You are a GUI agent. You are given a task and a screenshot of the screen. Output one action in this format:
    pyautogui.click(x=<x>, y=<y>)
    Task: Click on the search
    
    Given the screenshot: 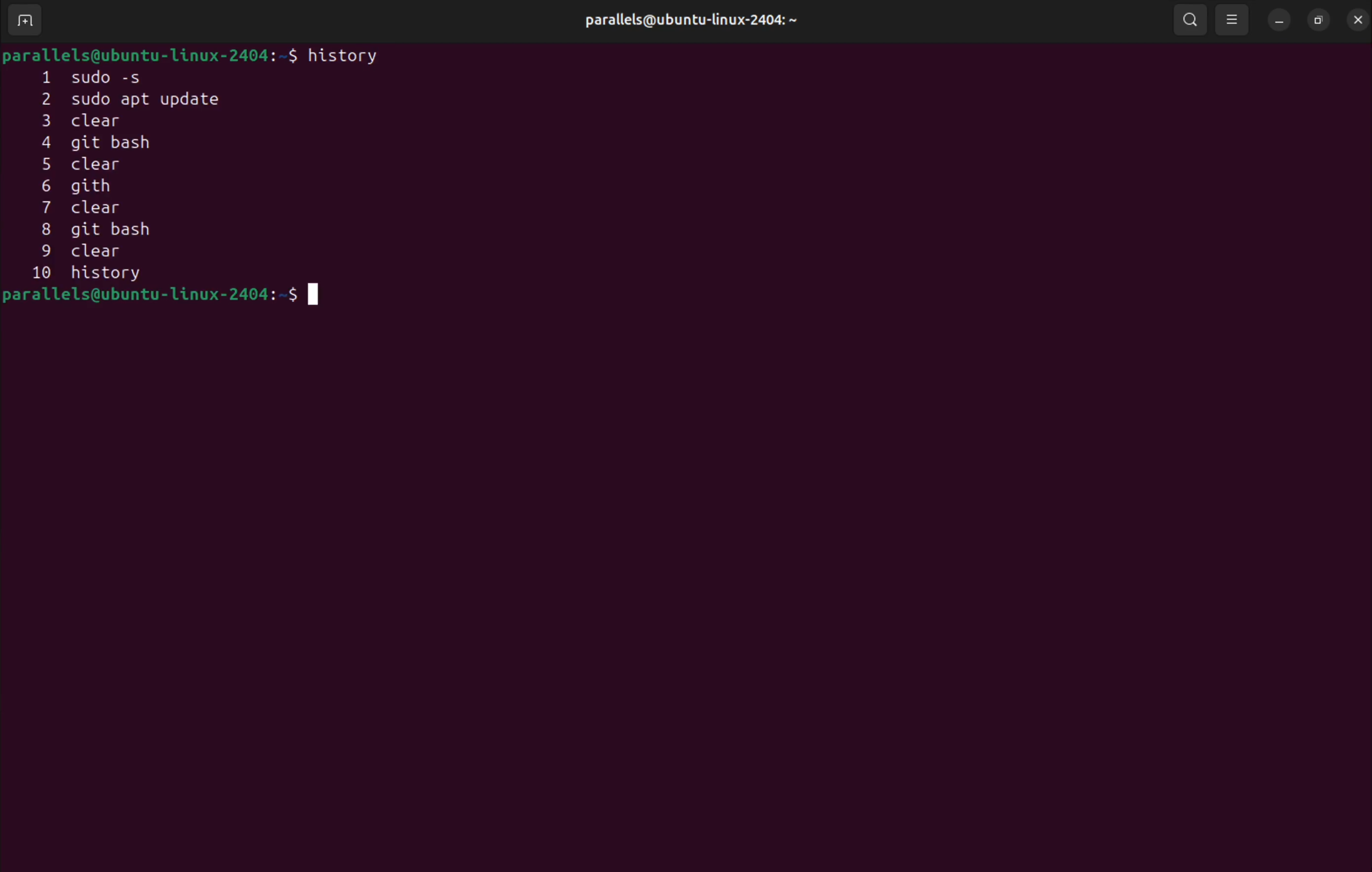 What is the action you would take?
    pyautogui.click(x=1193, y=19)
    